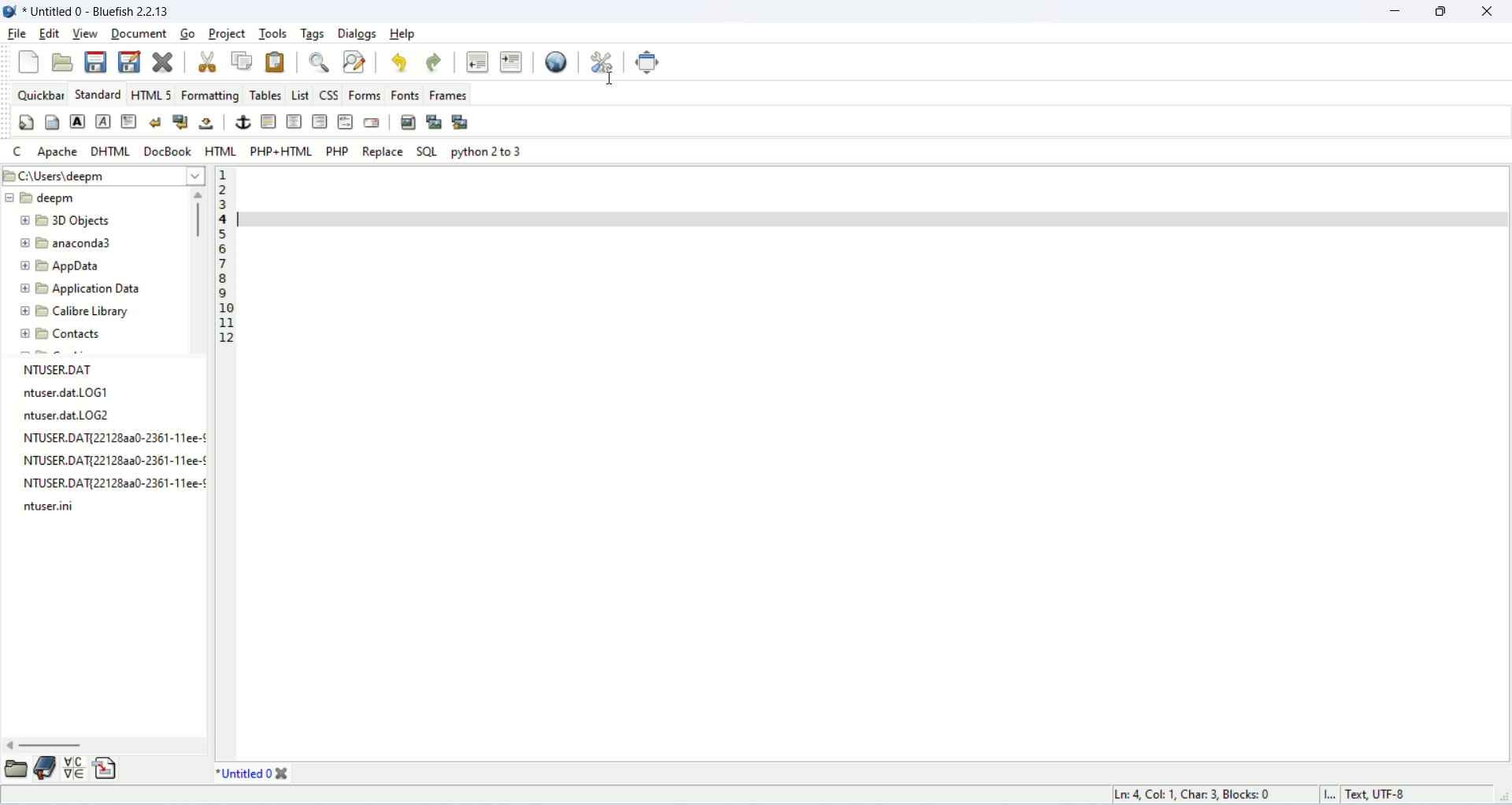 The image size is (1512, 805). Describe the element at coordinates (1379, 796) in the screenshot. I see `text, UTF-8` at that location.